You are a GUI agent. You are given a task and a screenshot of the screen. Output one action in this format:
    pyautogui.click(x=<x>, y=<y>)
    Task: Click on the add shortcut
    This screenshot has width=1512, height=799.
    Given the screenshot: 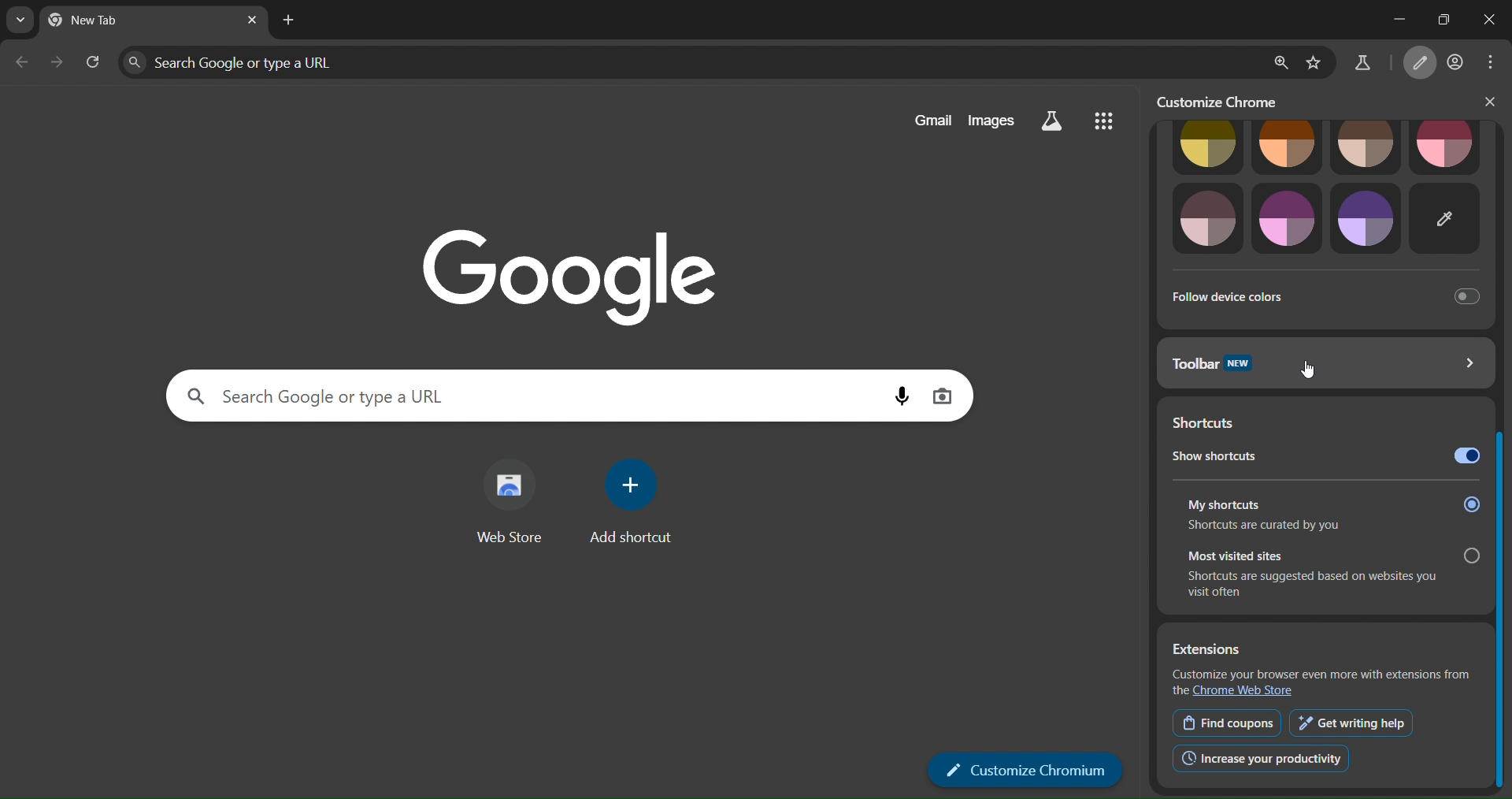 What is the action you would take?
    pyautogui.click(x=638, y=507)
    